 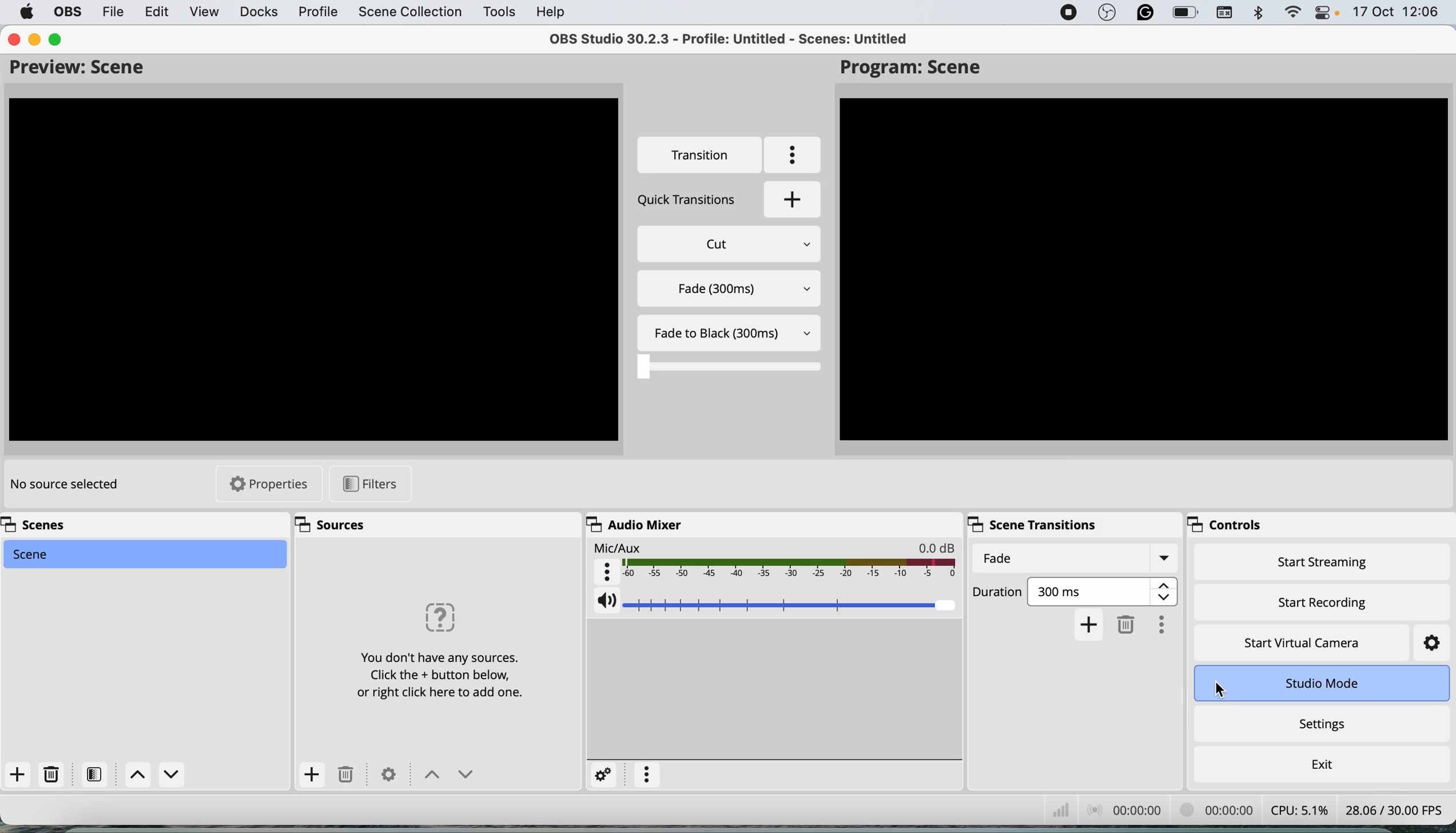 I want to click on delete scene, so click(x=51, y=773).